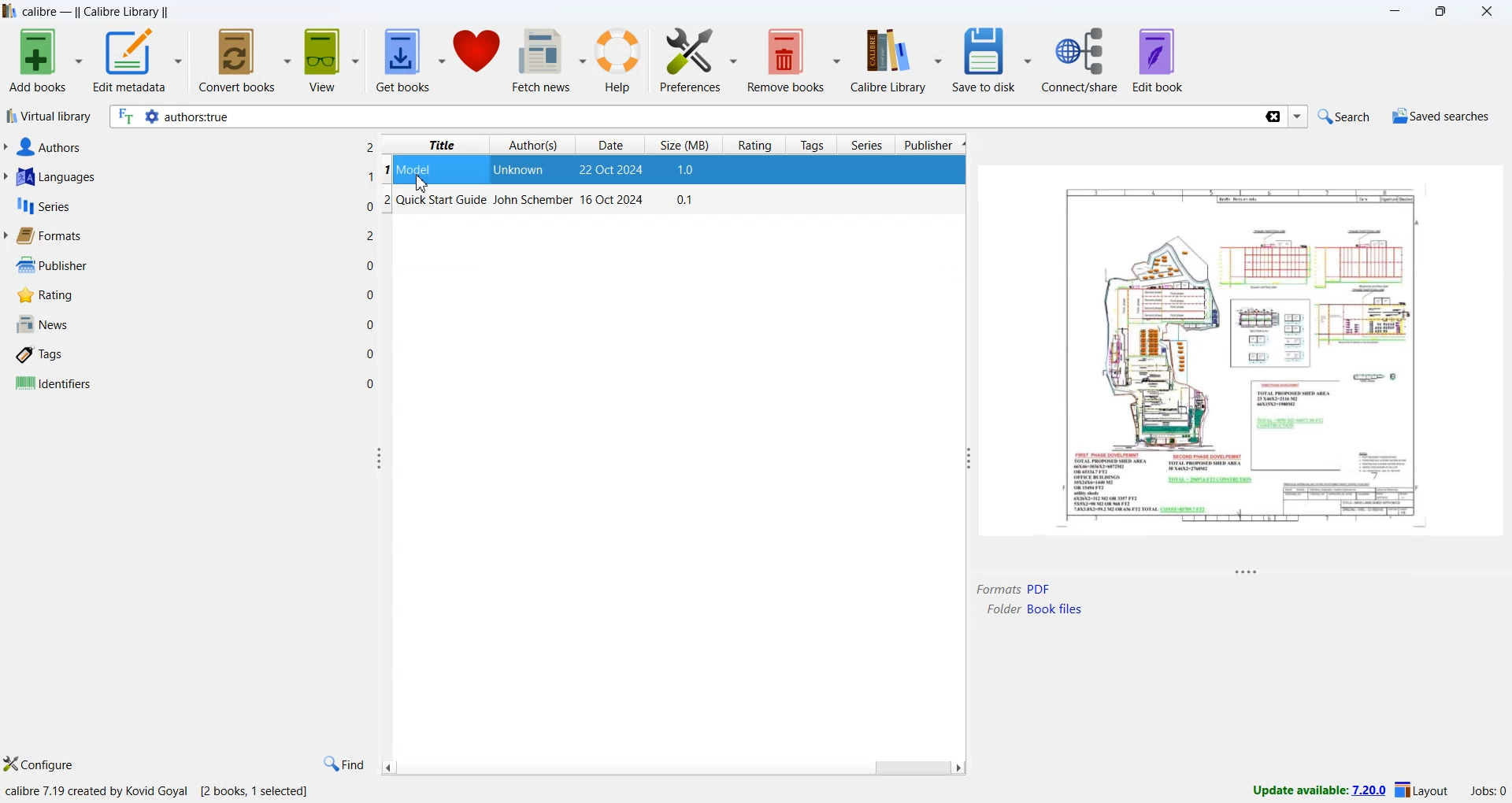 The height and width of the screenshot is (803, 1512). I want to click on 0, so click(370, 266).